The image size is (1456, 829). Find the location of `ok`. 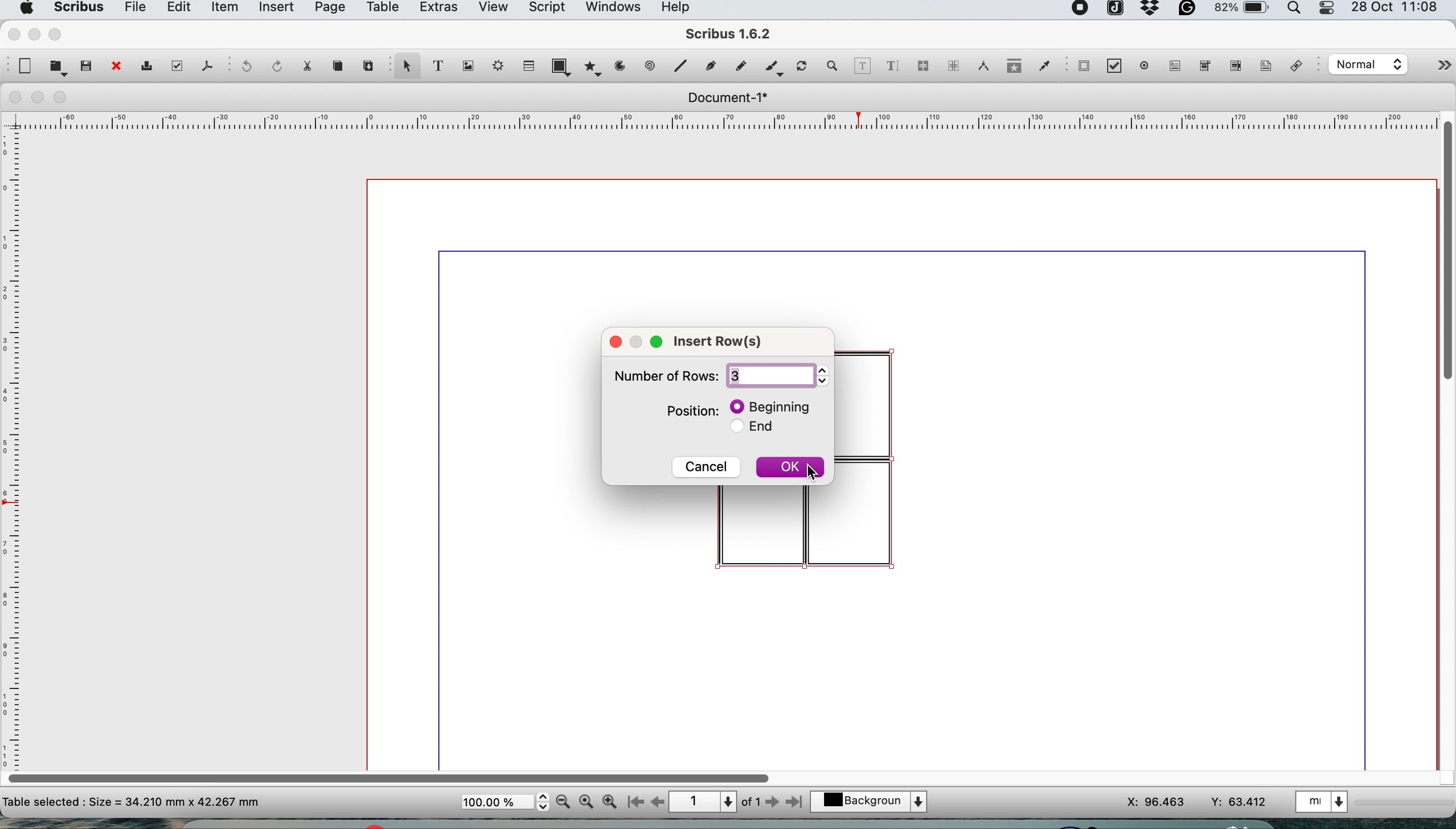

ok is located at coordinates (790, 470).